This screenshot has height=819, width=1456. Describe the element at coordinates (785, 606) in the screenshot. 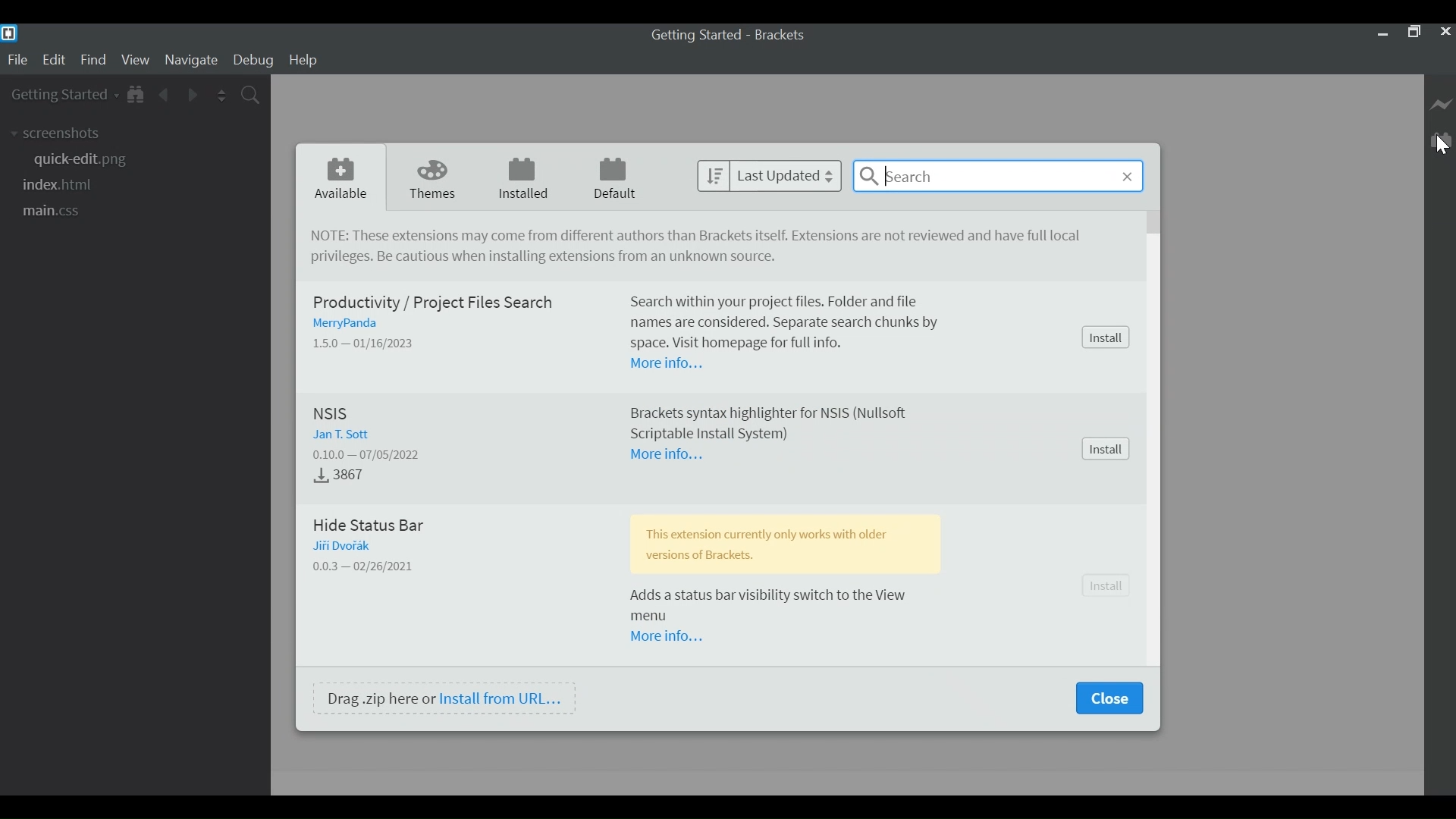

I see `Adds a status bar visibility switch to View menu` at that location.